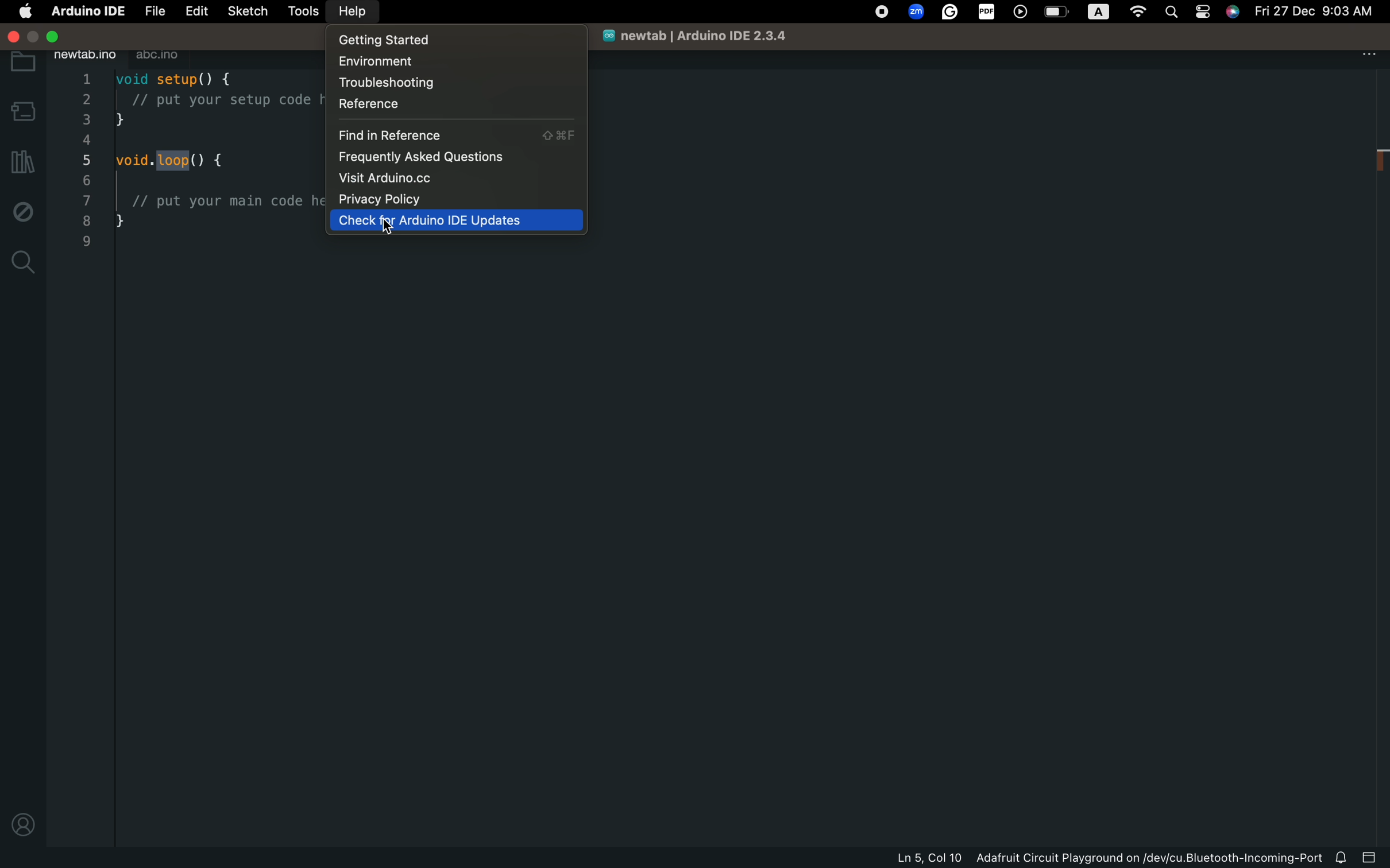 Image resolution: width=1390 pixels, height=868 pixels. I want to click on notification, so click(1342, 858).